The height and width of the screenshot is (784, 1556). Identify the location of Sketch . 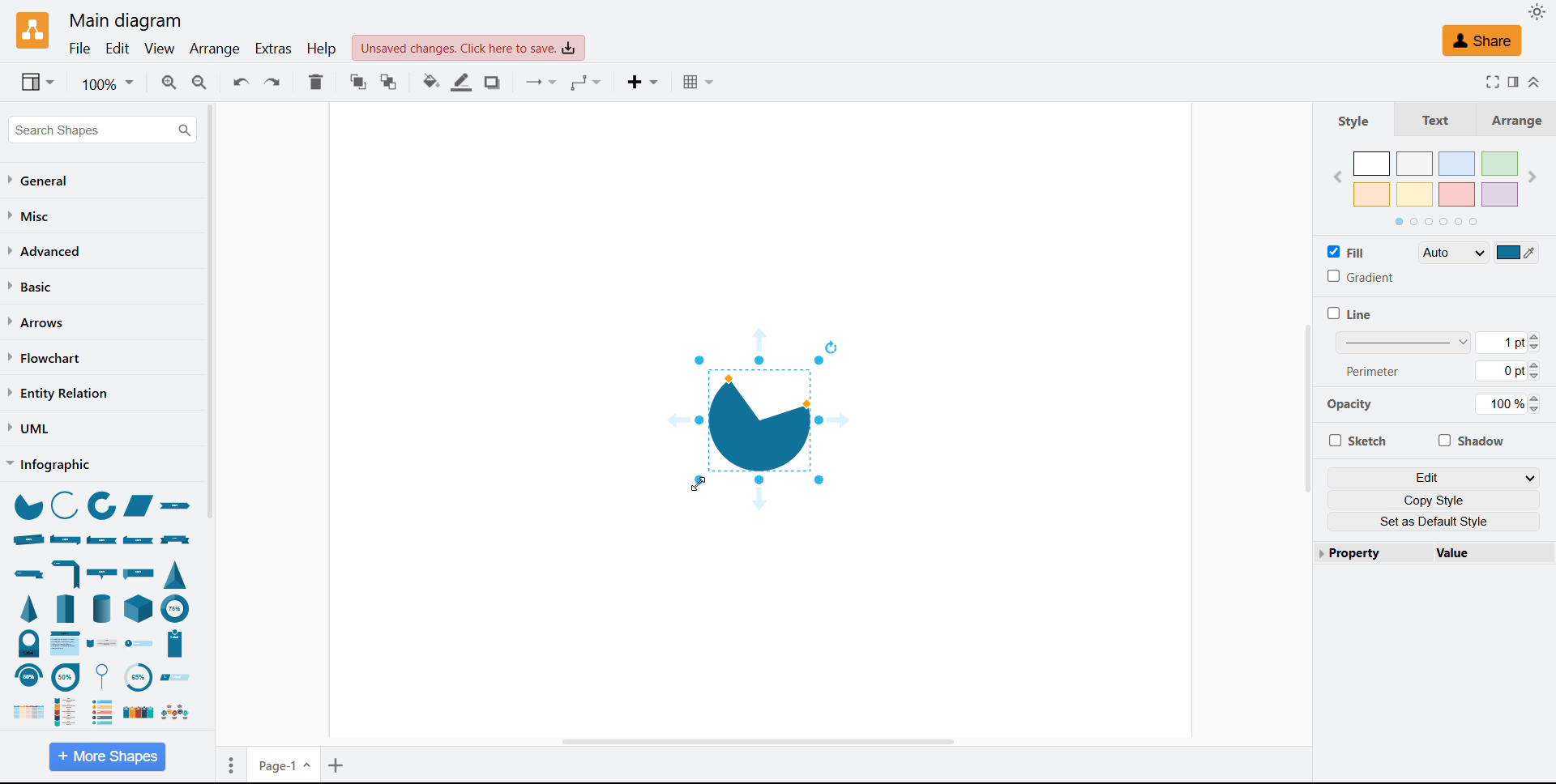
(1357, 440).